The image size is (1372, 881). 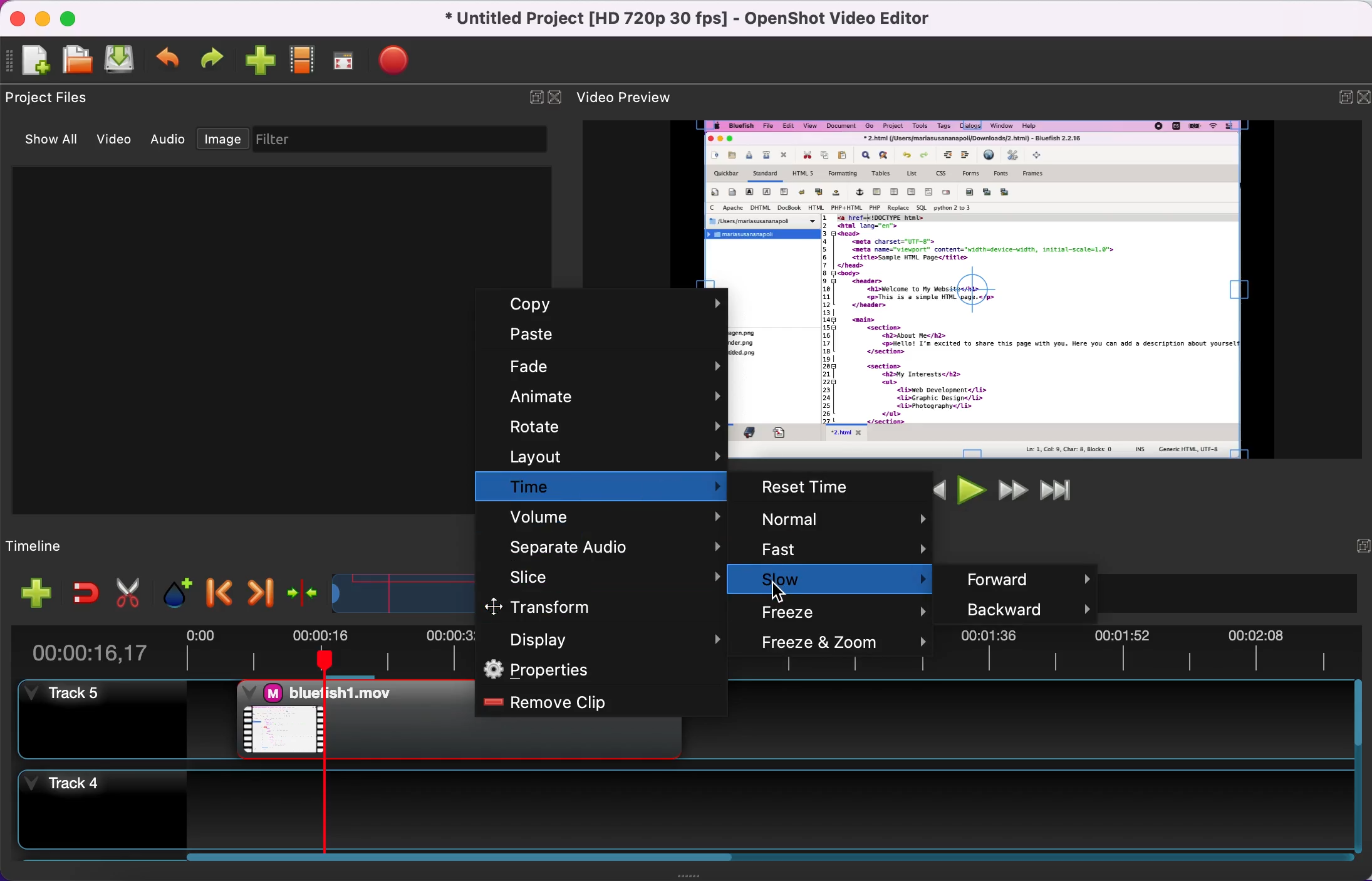 What do you see at coordinates (405, 140) in the screenshot?
I see `filter` at bounding box center [405, 140].